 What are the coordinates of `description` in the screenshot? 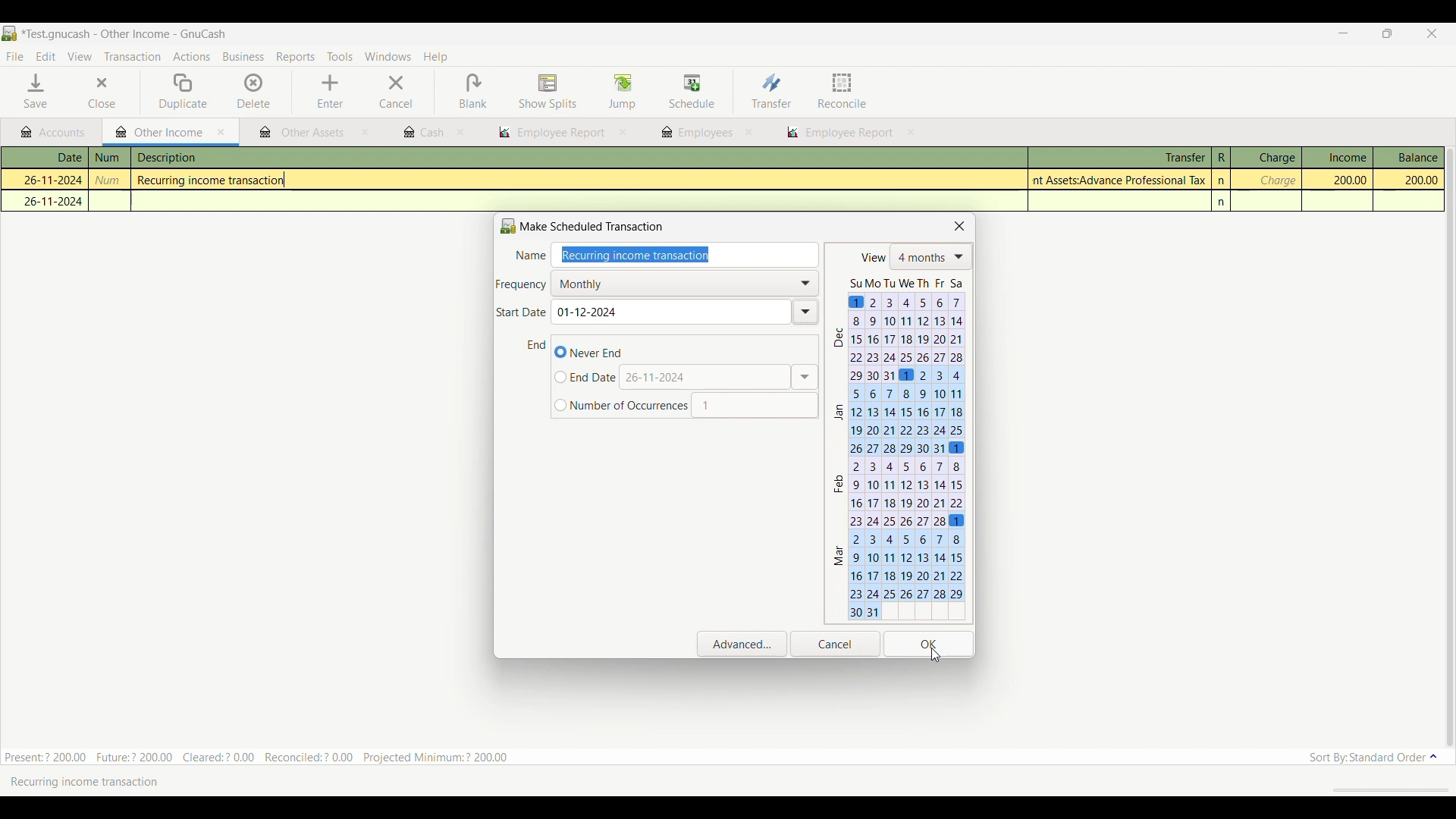 It's located at (245, 158).